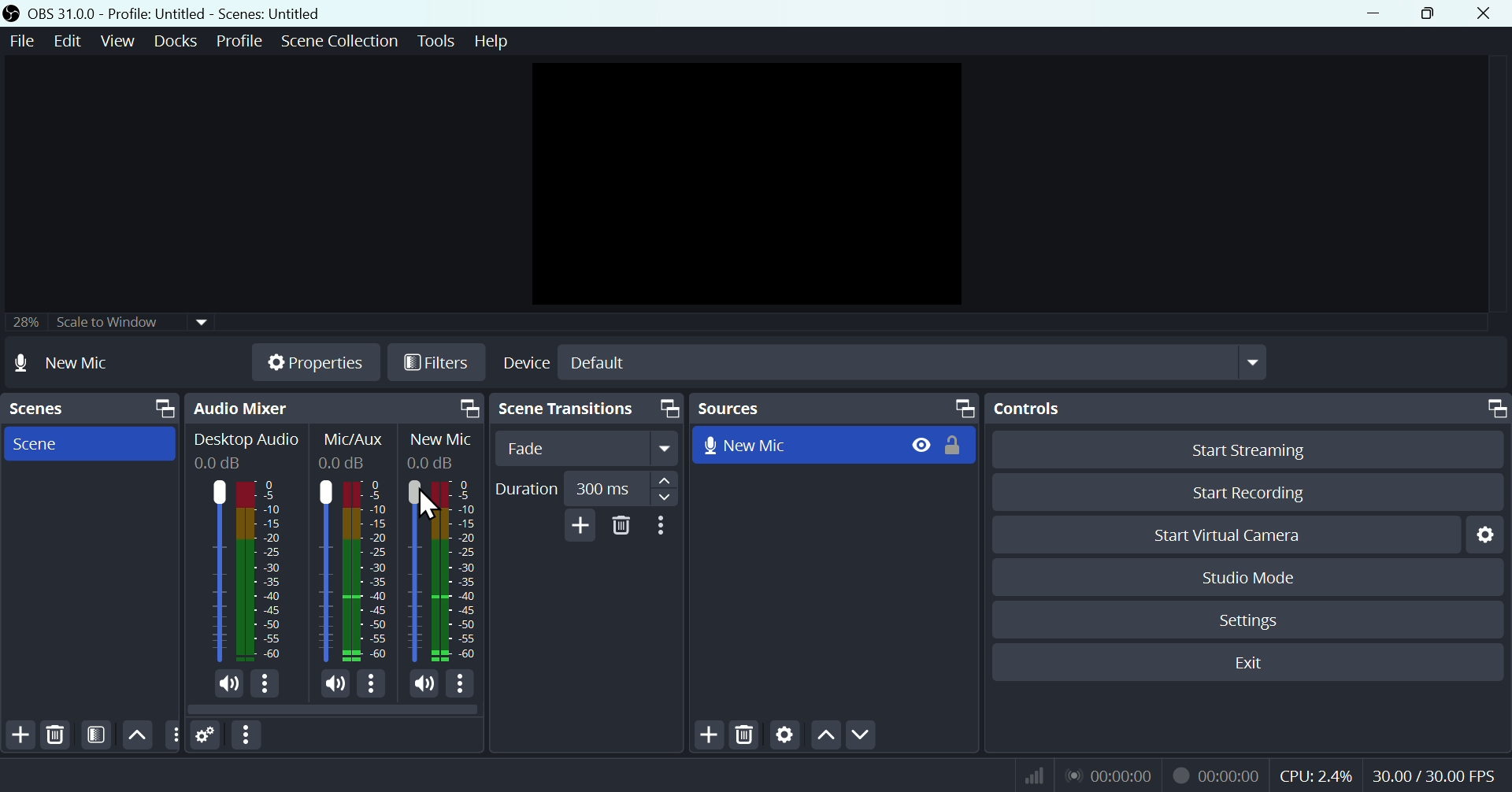  What do you see at coordinates (65, 41) in the screenshot?
I see `Edit` at bounding box center [65, 41].